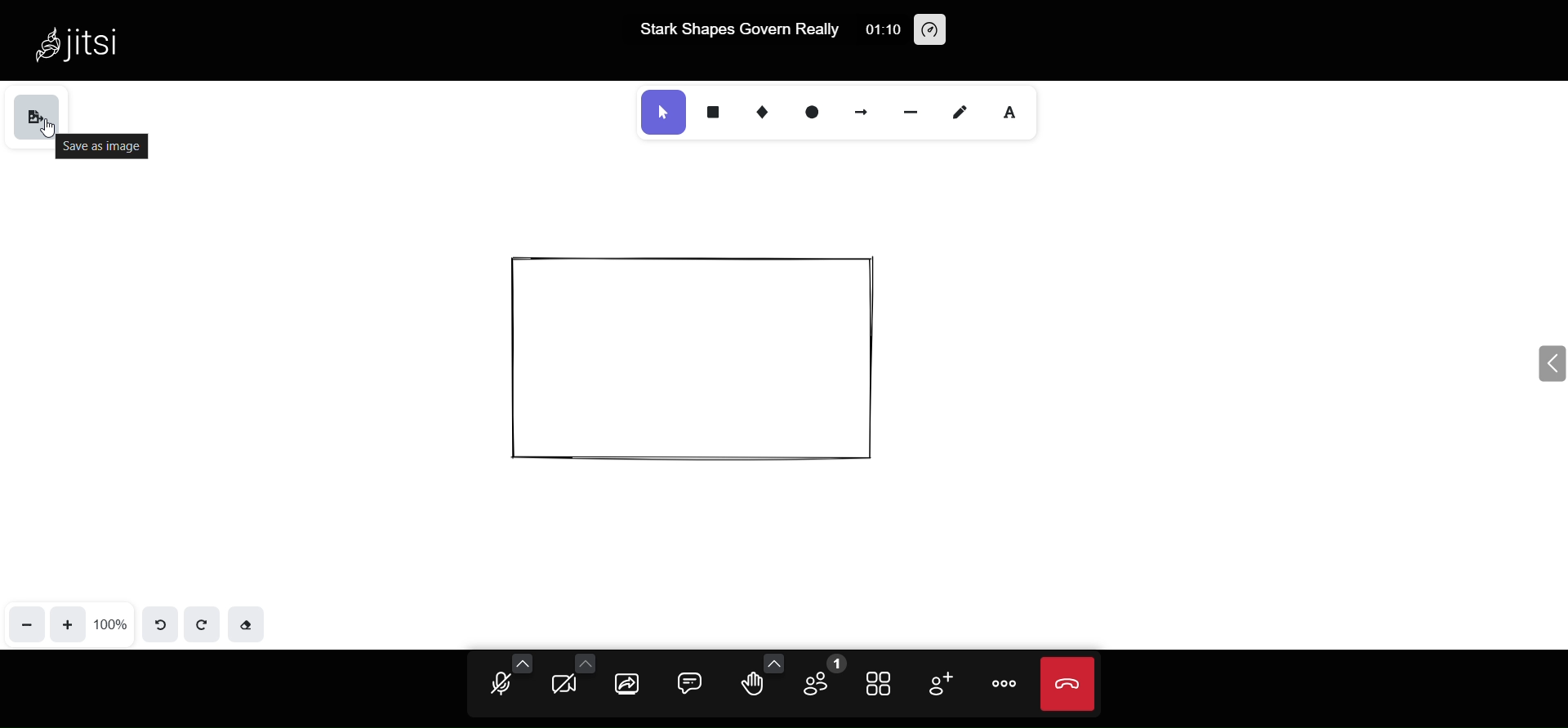 The height and width of the screenshot is (728, 1568). I want to click on select, so click(658, 111).